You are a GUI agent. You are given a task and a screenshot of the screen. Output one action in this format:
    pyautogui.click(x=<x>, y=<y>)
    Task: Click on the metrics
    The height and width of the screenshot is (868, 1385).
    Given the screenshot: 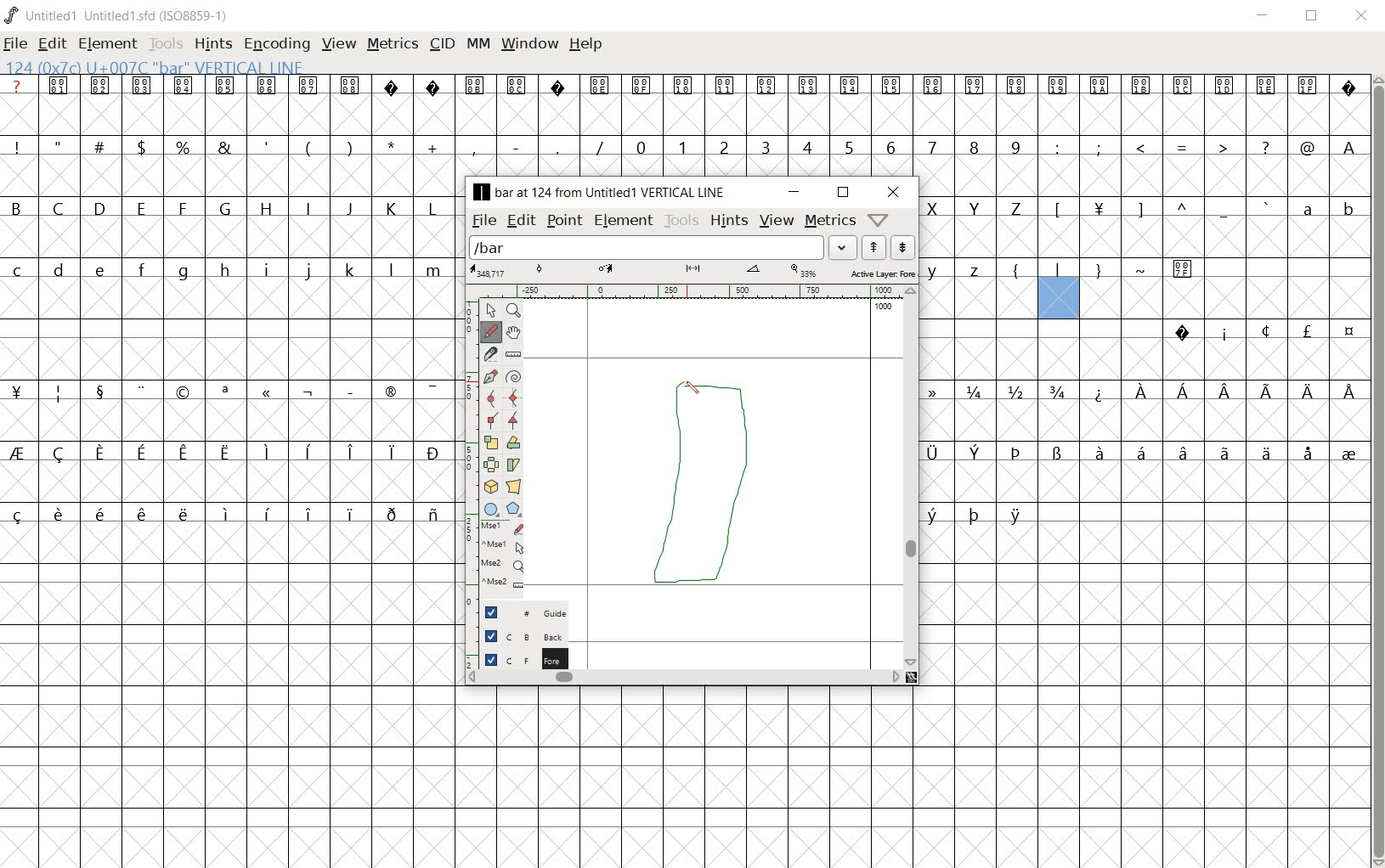 What is the action you would take?
    pyautogui.click(x=393, y=42)
    